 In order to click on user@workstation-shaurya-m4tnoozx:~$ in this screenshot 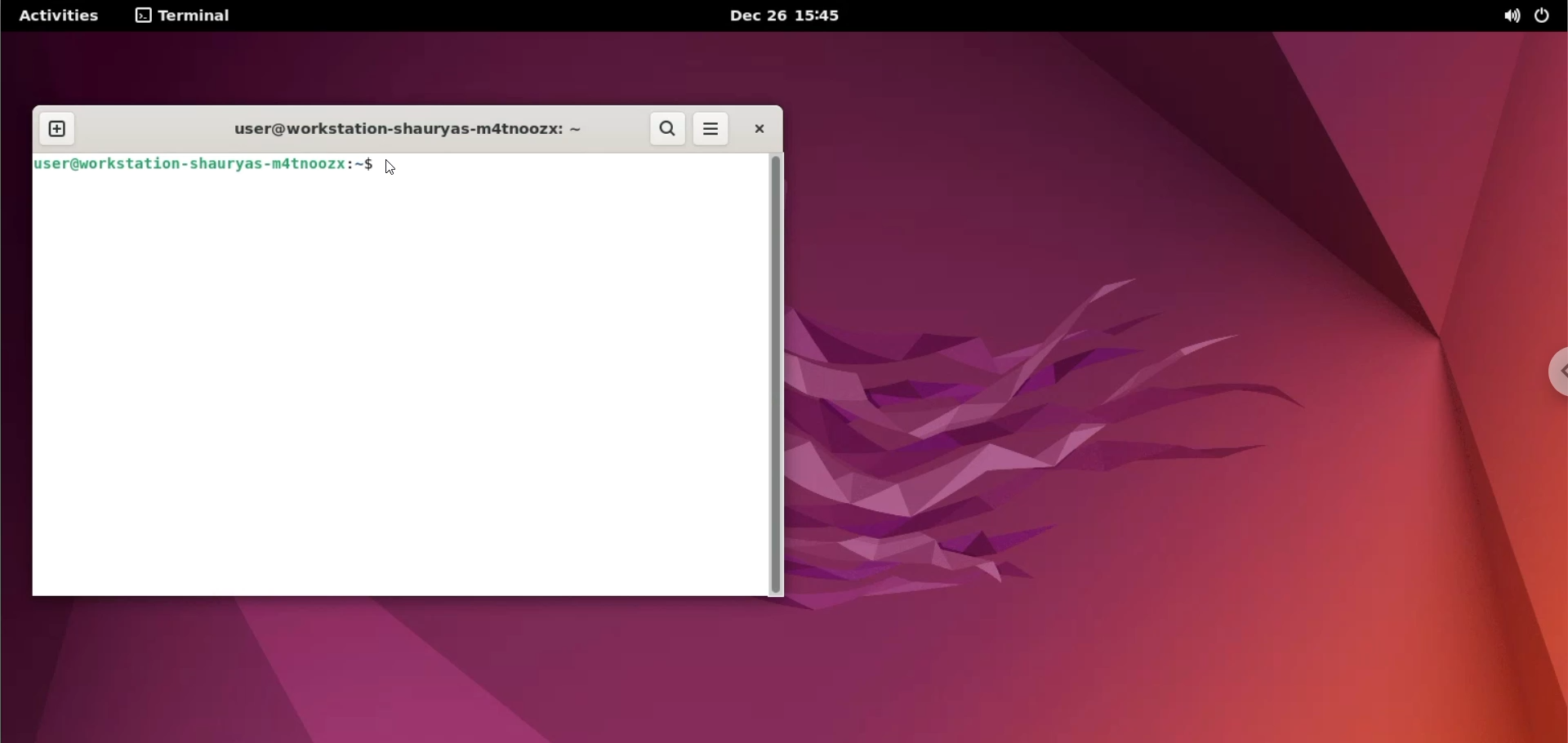, I will do `click(205, 166)`.